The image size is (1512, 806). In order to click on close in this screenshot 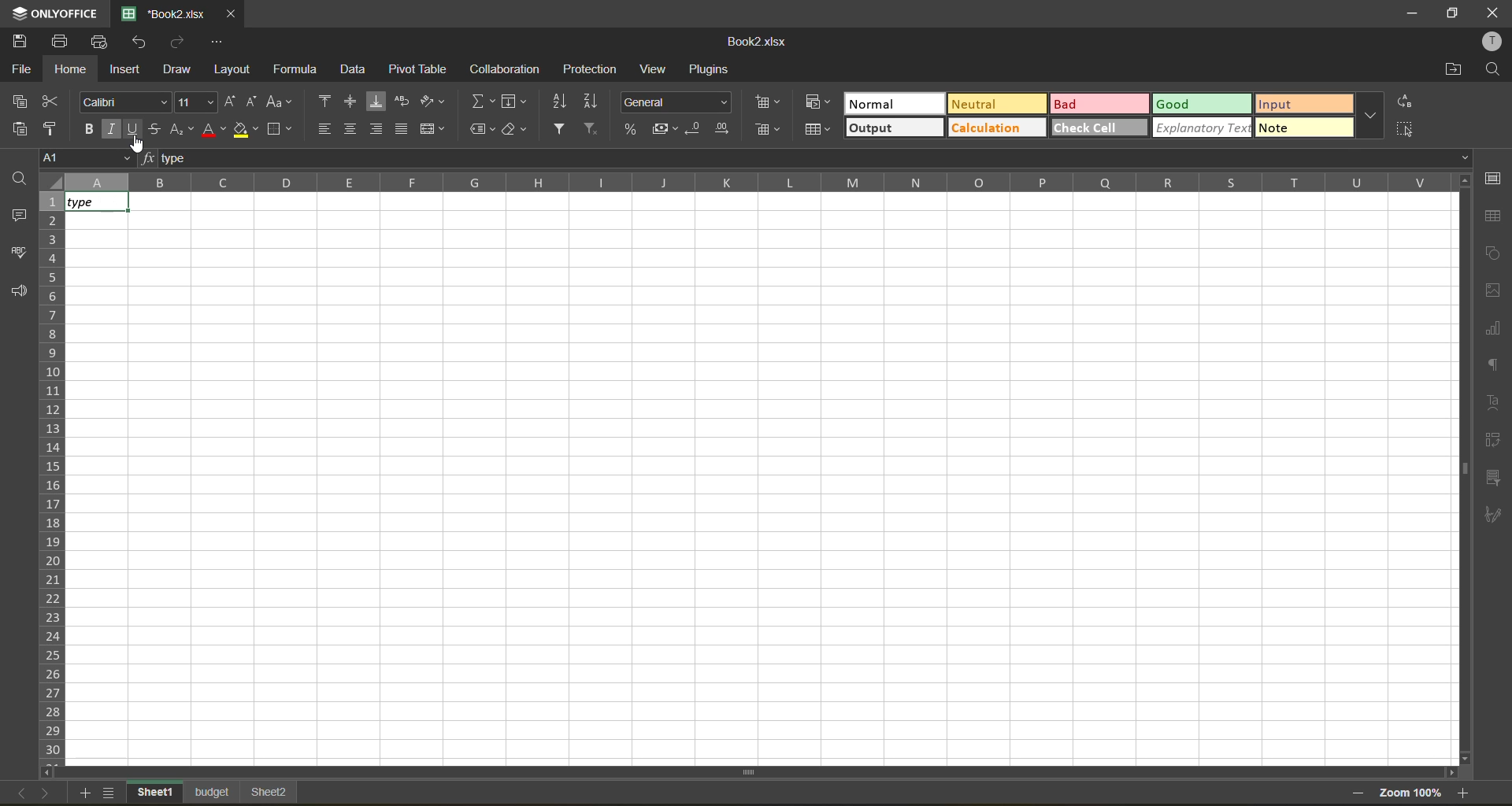, I will do `click(1492, 13)`.